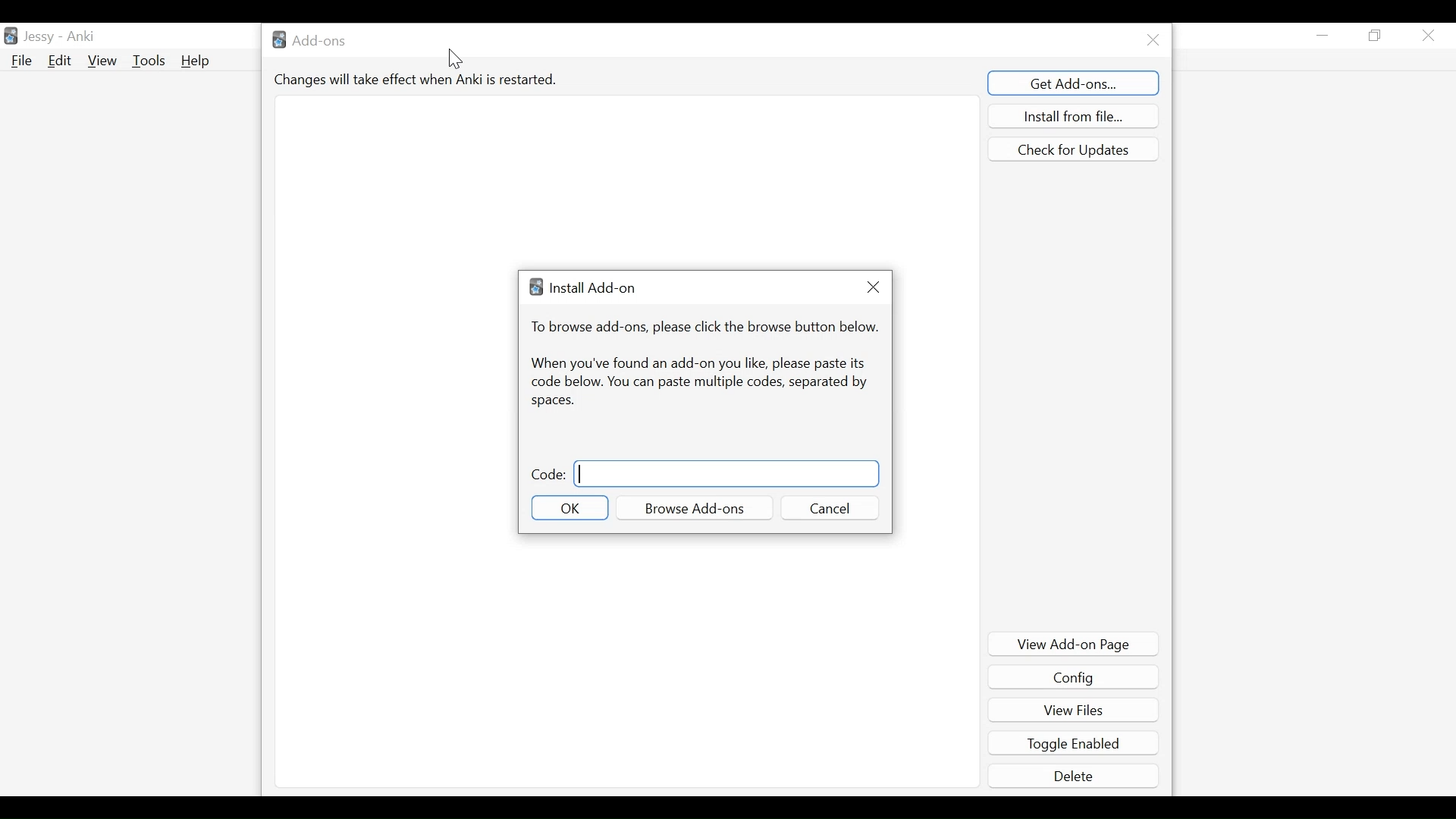 The image size is (1456, 819). I want to click on Toggle Enabled, so click(1075, 743).